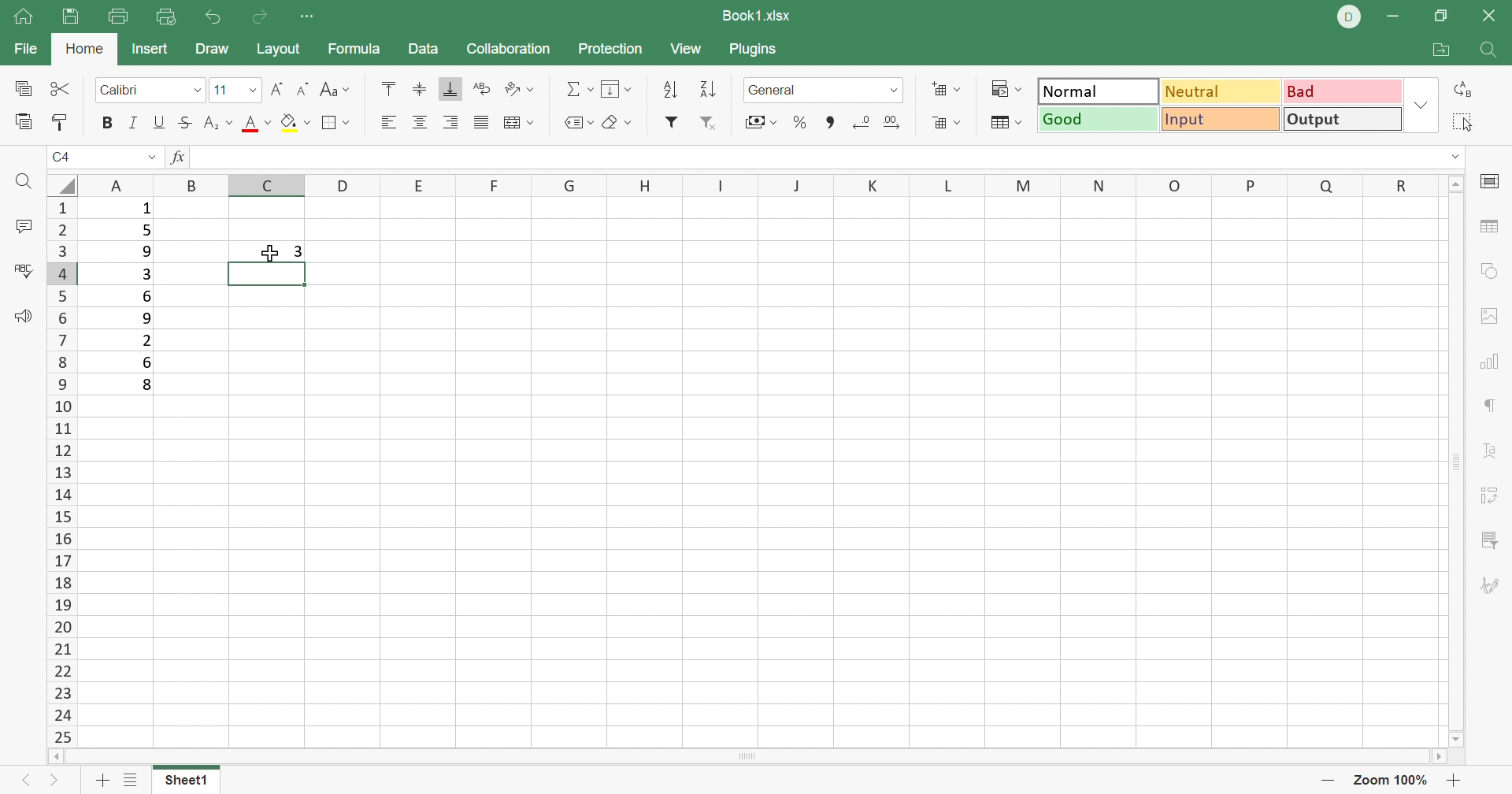  Describe the element at coordinates (799, 122) in the screenshot. I see `Percent style` at that location.